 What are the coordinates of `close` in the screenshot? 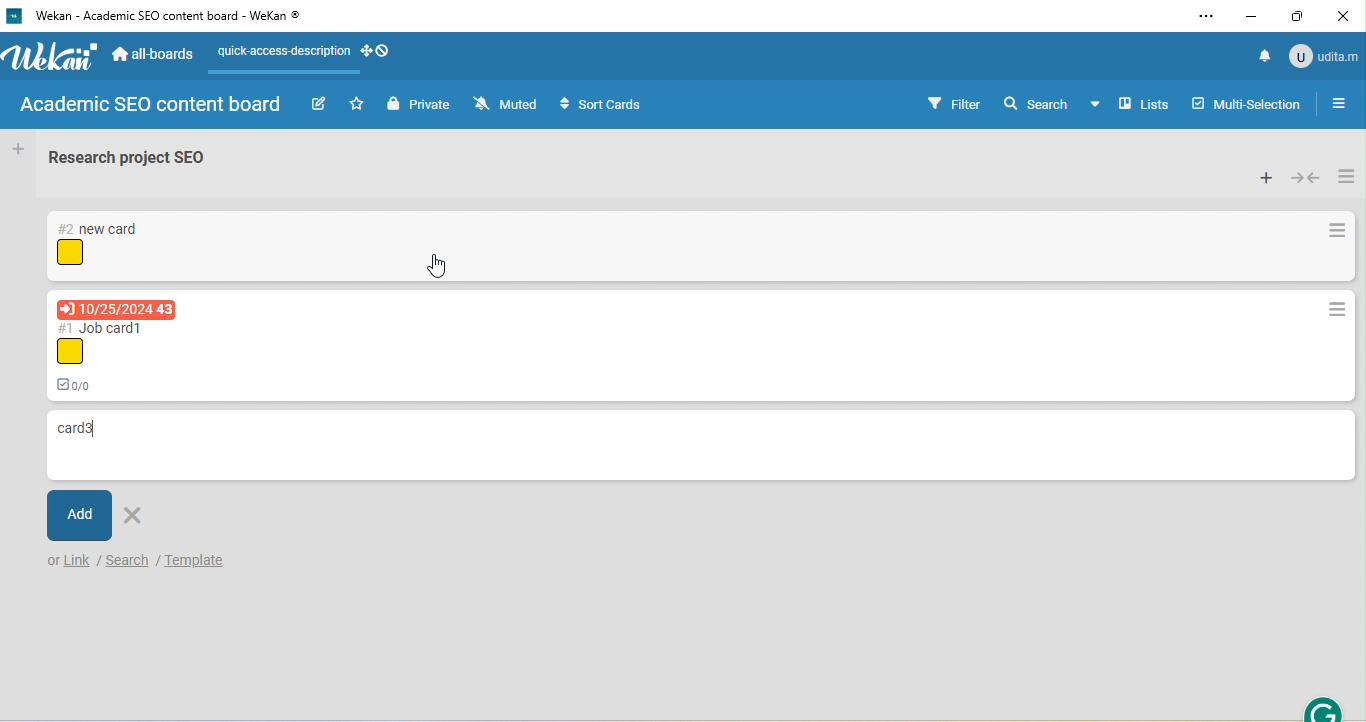 It's located at (1346, 14).